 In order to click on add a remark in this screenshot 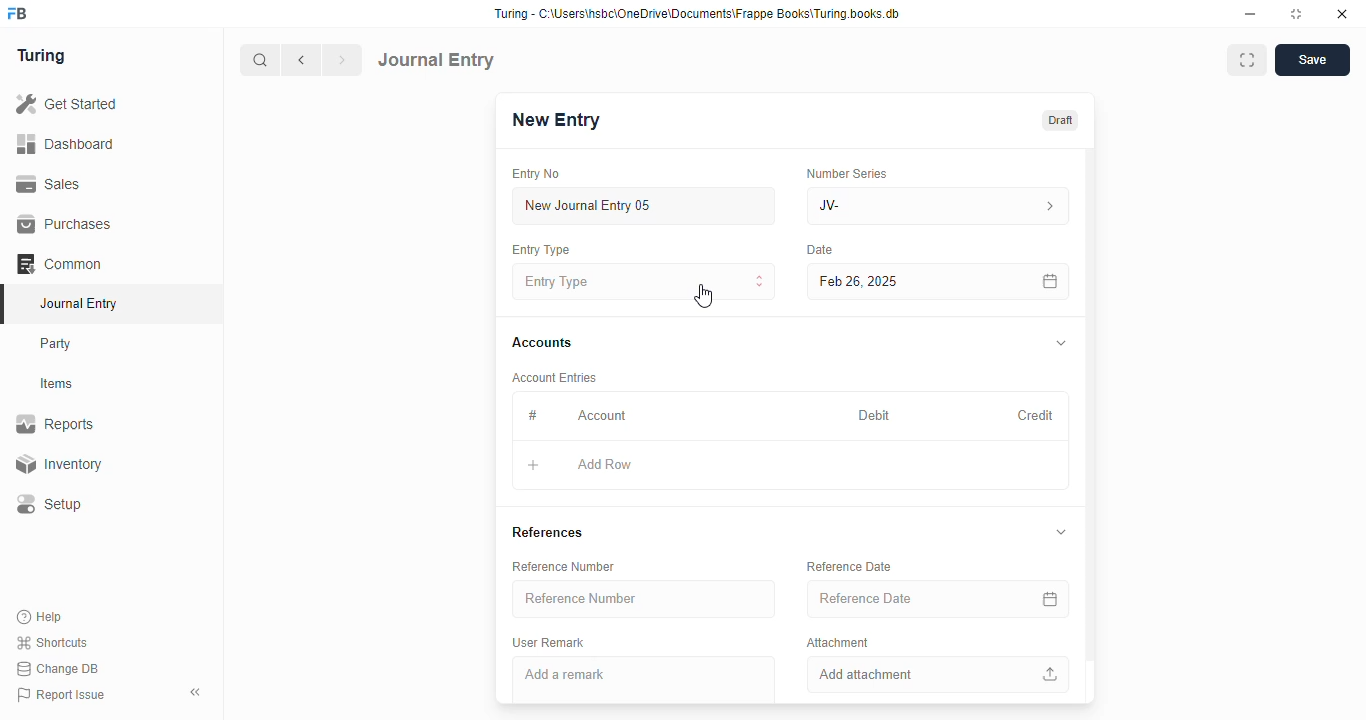, I will do `click(644, 680)`.